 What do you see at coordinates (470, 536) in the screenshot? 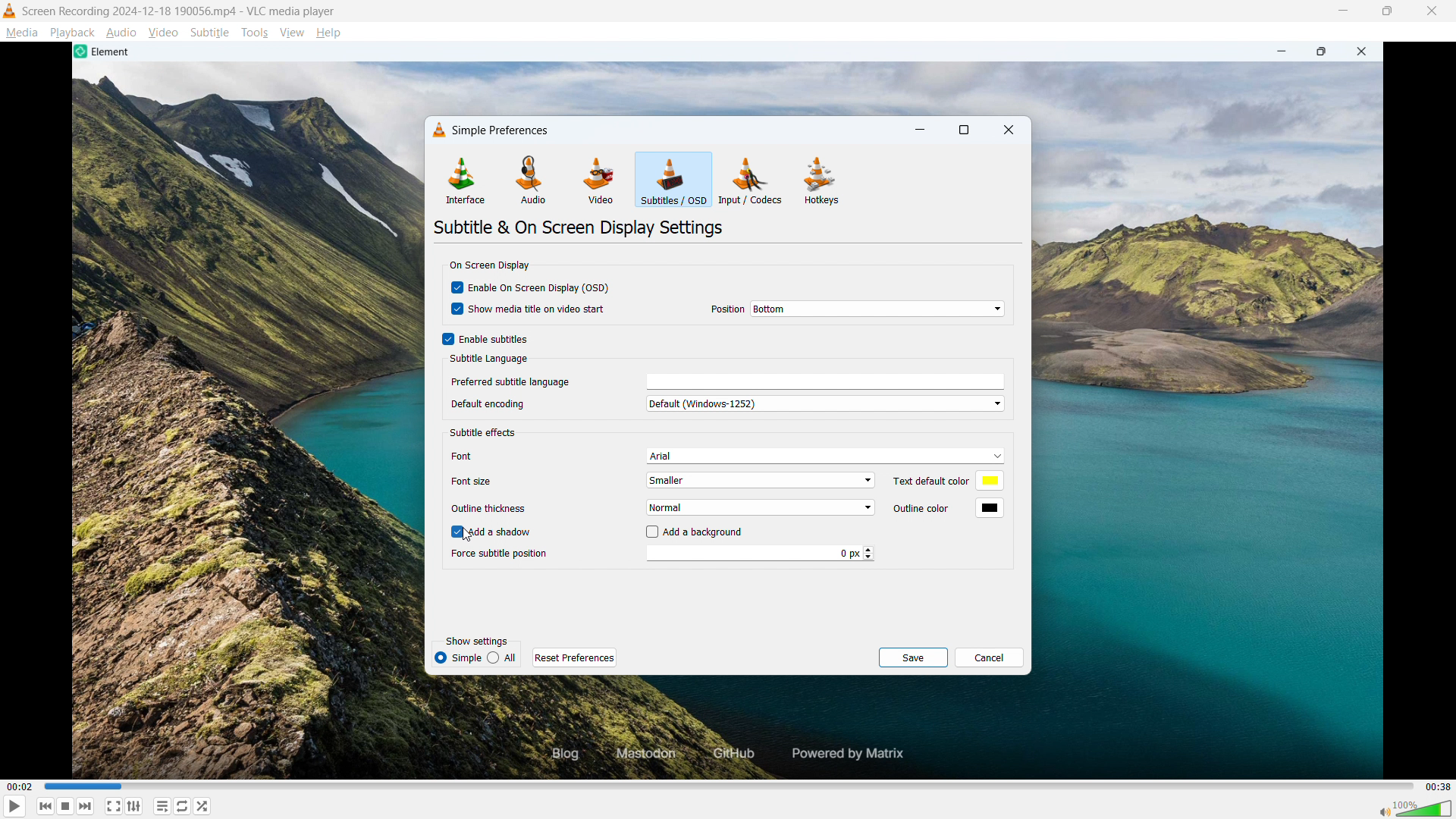
I see `Cursor` at bounding box center [470, 536].